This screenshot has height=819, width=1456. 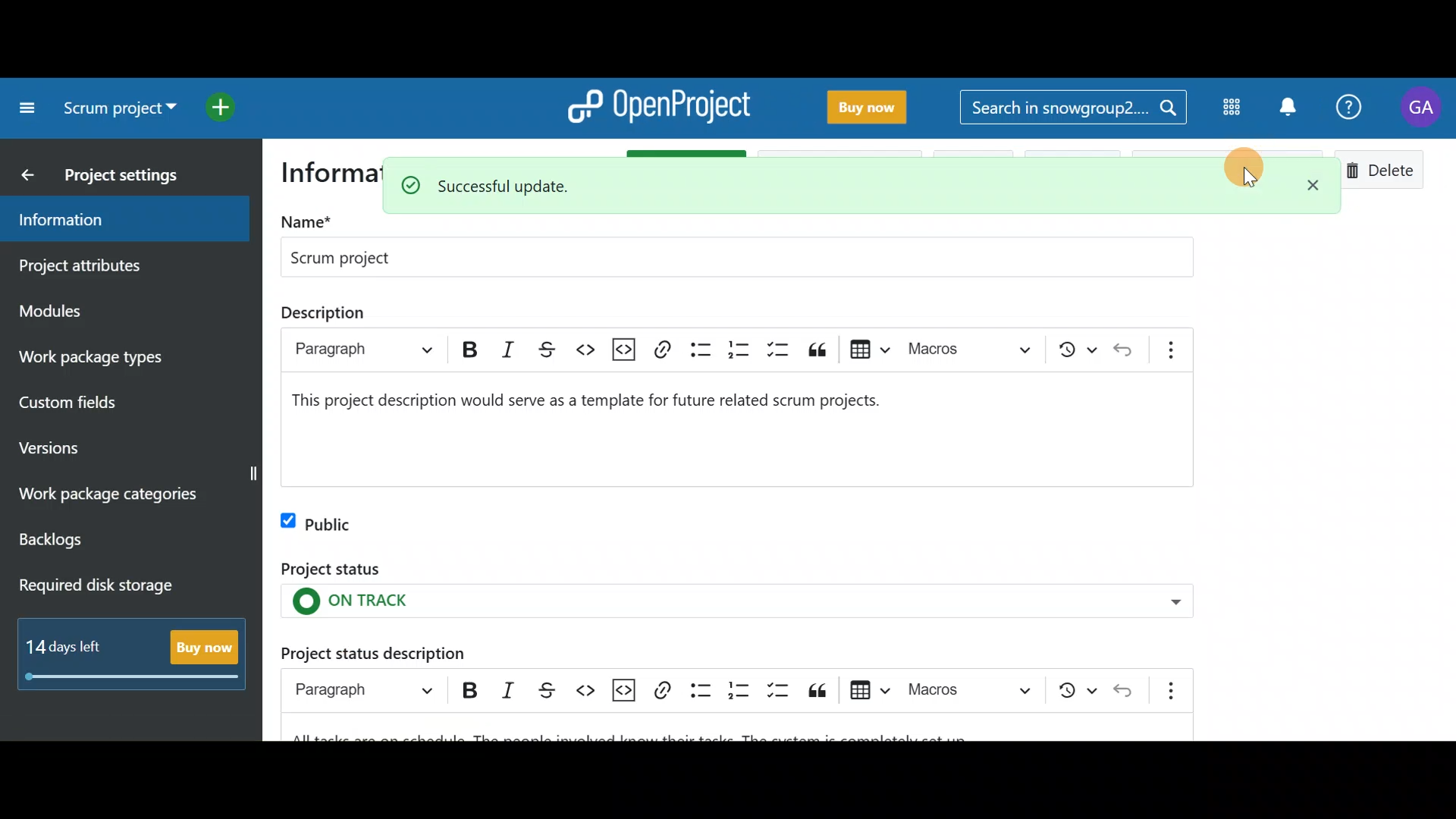 I want to click on Italic, so click(x=513, y=689).